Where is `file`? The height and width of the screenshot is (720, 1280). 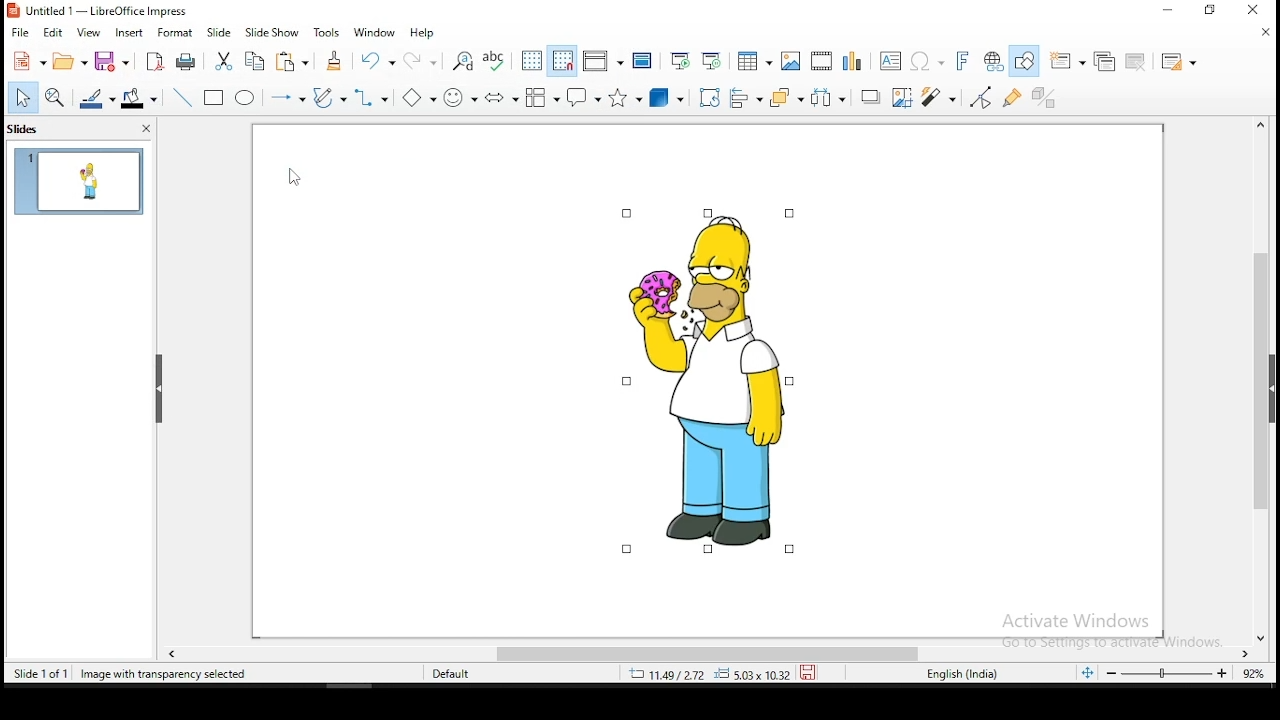
file is located at coordinates (21, 32).